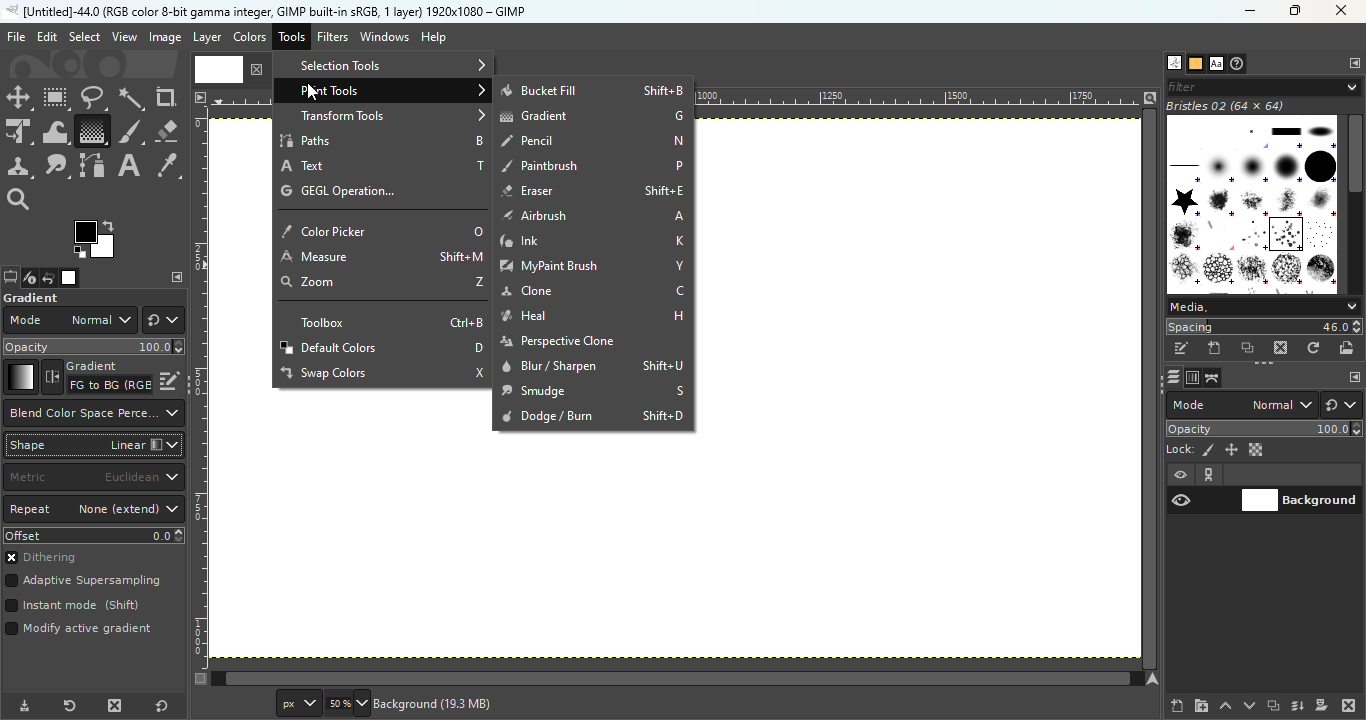  I want to click on Scroll bar, so click(1355, 201).